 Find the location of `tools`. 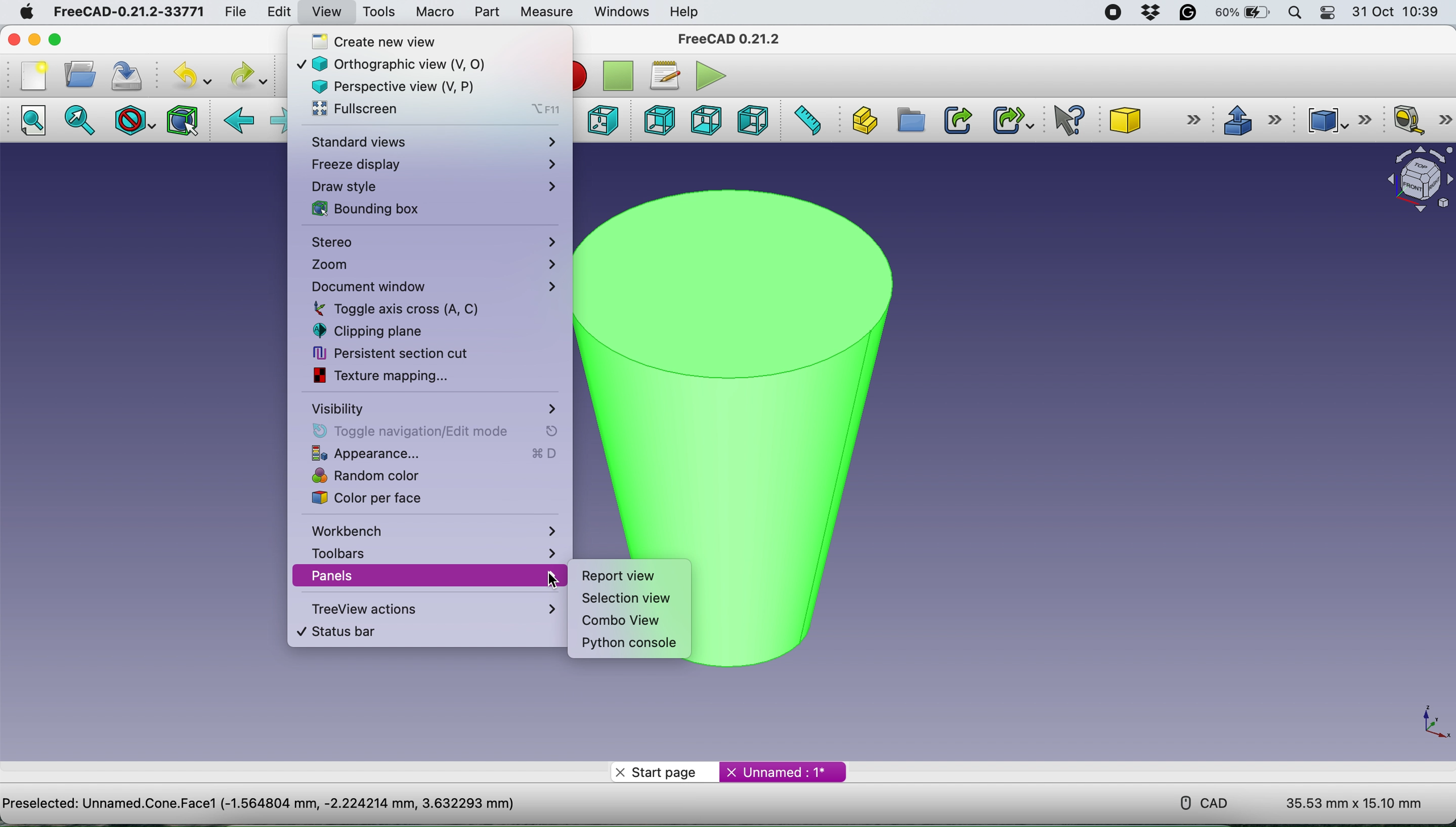

tools is located at coordinates (379, 12).